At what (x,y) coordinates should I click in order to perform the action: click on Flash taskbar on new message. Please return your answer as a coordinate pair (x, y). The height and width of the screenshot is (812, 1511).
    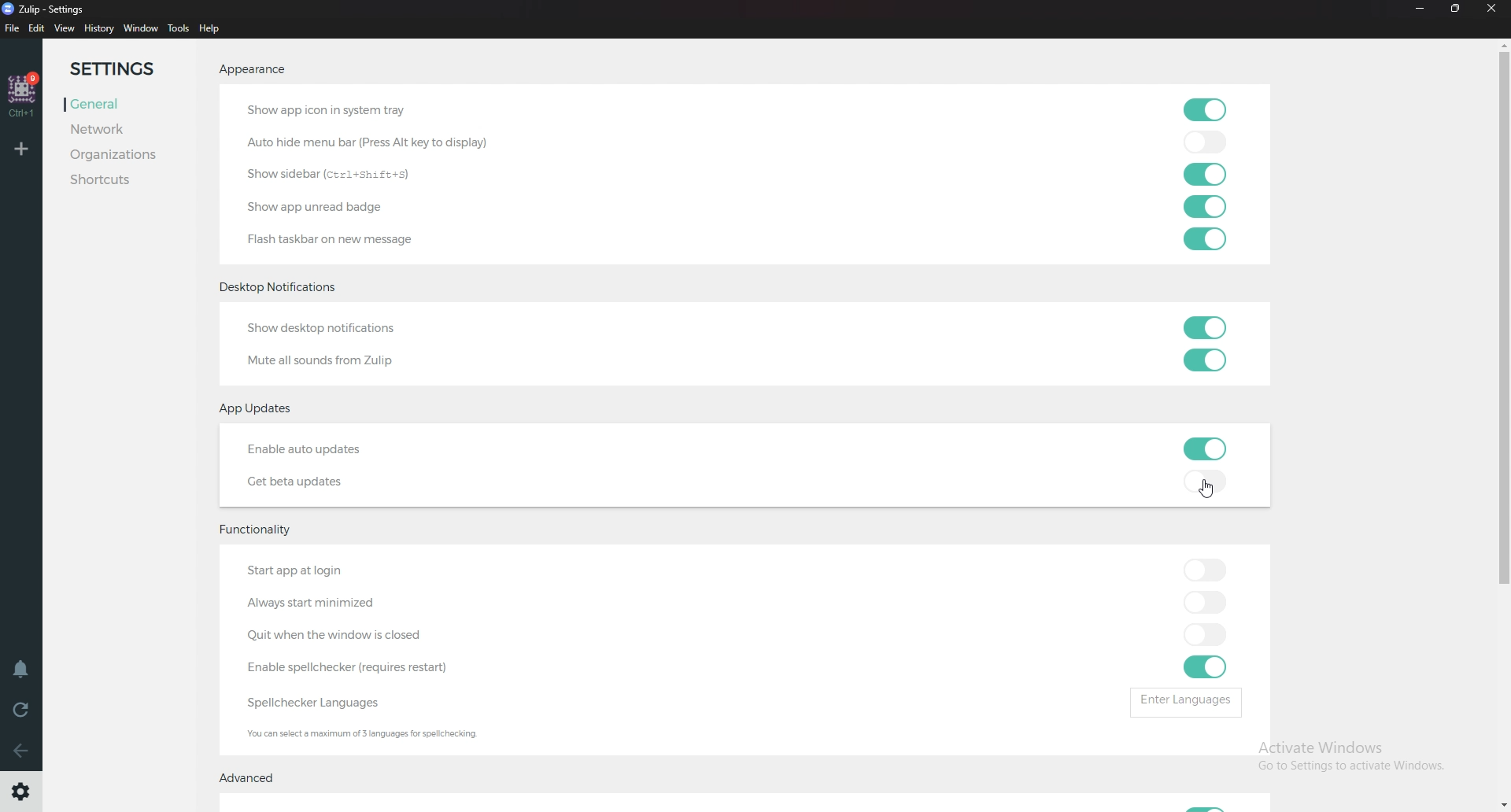
    Looking at the image, I should click on (373, 242).